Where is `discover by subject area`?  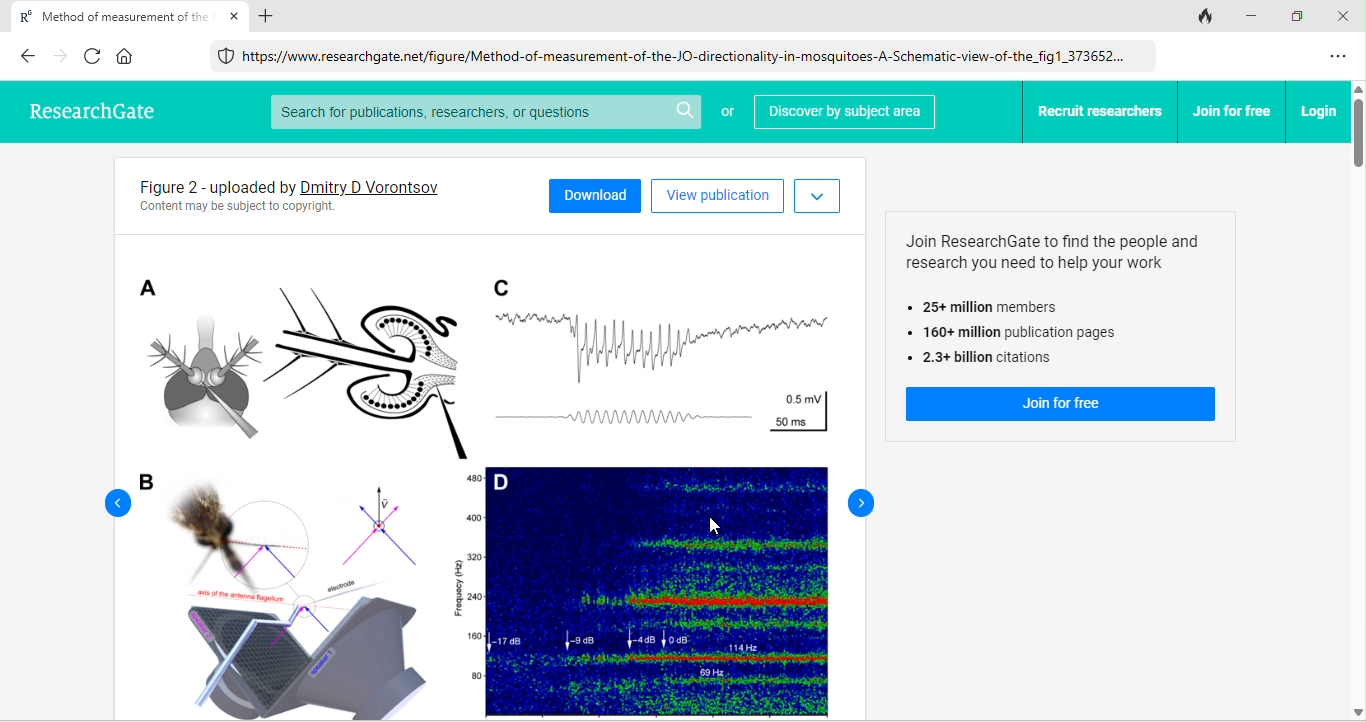
discover by subject area is located at coordinates (844, 113).